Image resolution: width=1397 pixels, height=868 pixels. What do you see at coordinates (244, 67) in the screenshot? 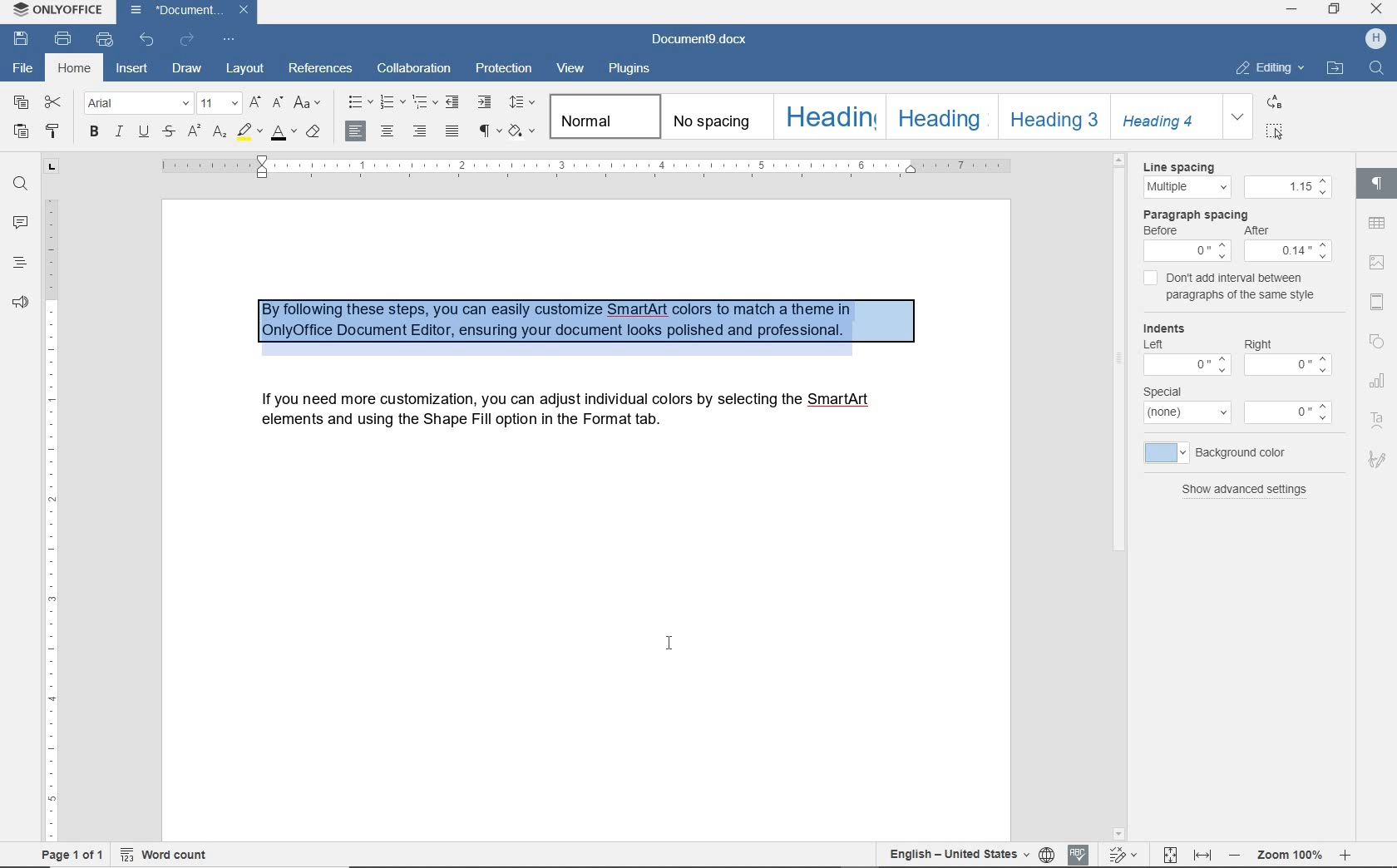
I see `layout` at bounding box center [244, 67].